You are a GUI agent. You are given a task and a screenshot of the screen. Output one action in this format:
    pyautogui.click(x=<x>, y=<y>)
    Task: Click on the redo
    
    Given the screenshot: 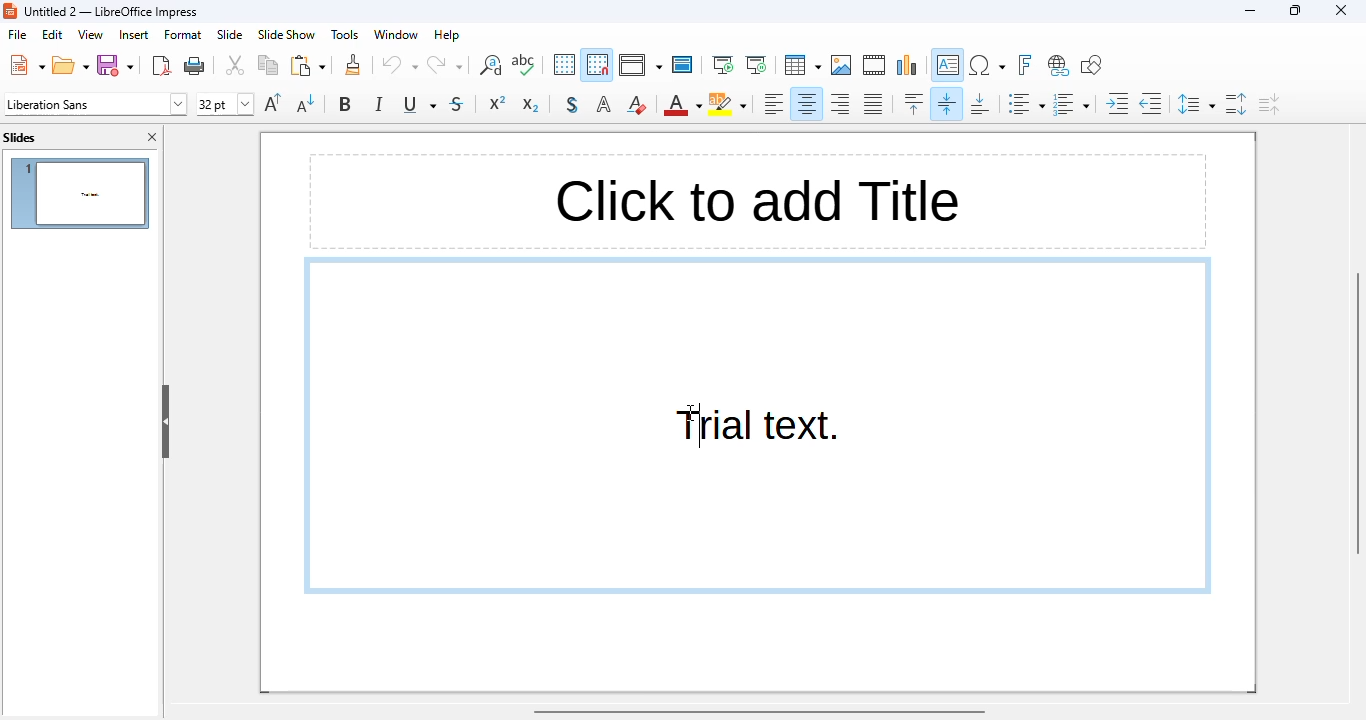 What is the action you would take?
    pyautogui.click(x=445, y=65)
    